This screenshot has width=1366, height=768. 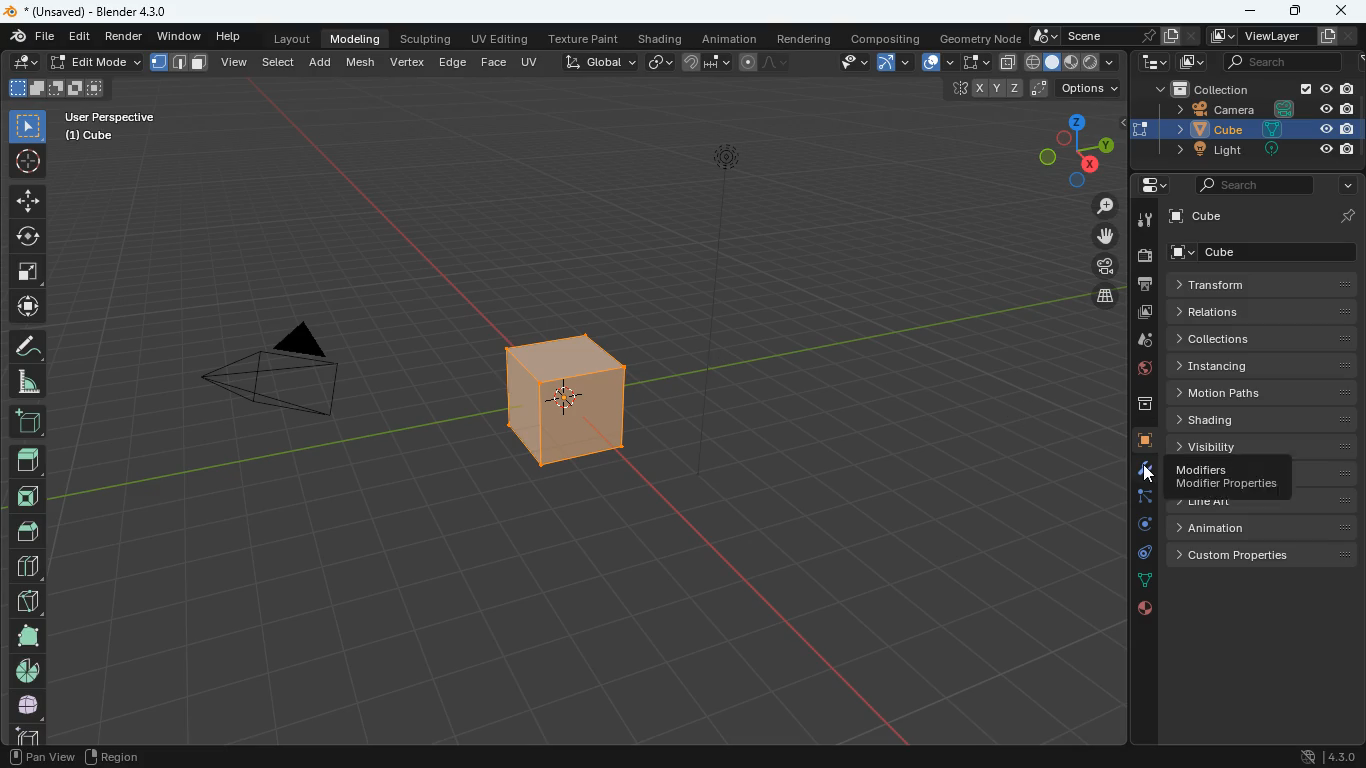 What do you see at coordinates (55, 88) in the screenshot?
I see `shapes` at bounding box center [55, 88].